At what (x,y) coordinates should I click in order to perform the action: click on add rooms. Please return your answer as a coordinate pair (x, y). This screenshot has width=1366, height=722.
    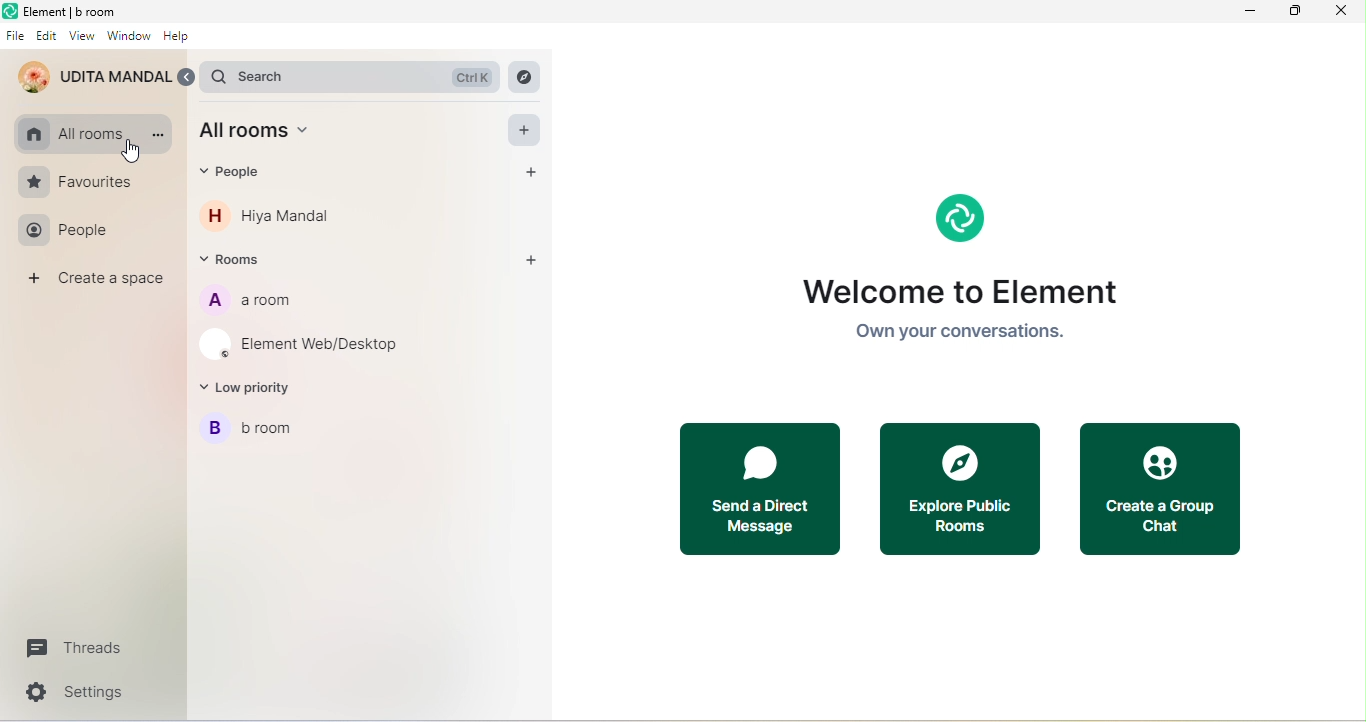
    Looking at the image, I should click on (533, 260).